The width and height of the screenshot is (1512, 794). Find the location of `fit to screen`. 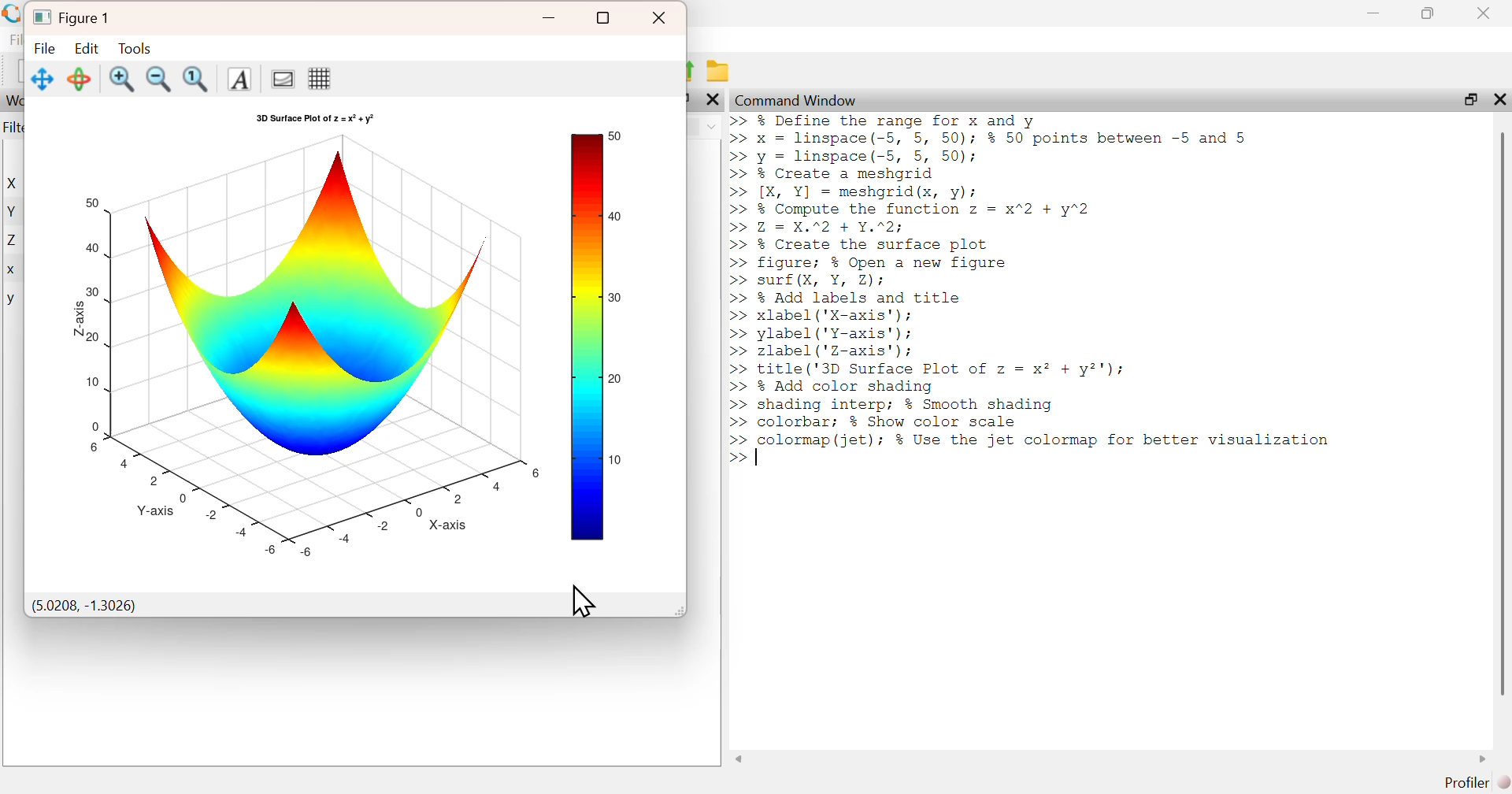

fit to screen is located at coordinates (198, 79).